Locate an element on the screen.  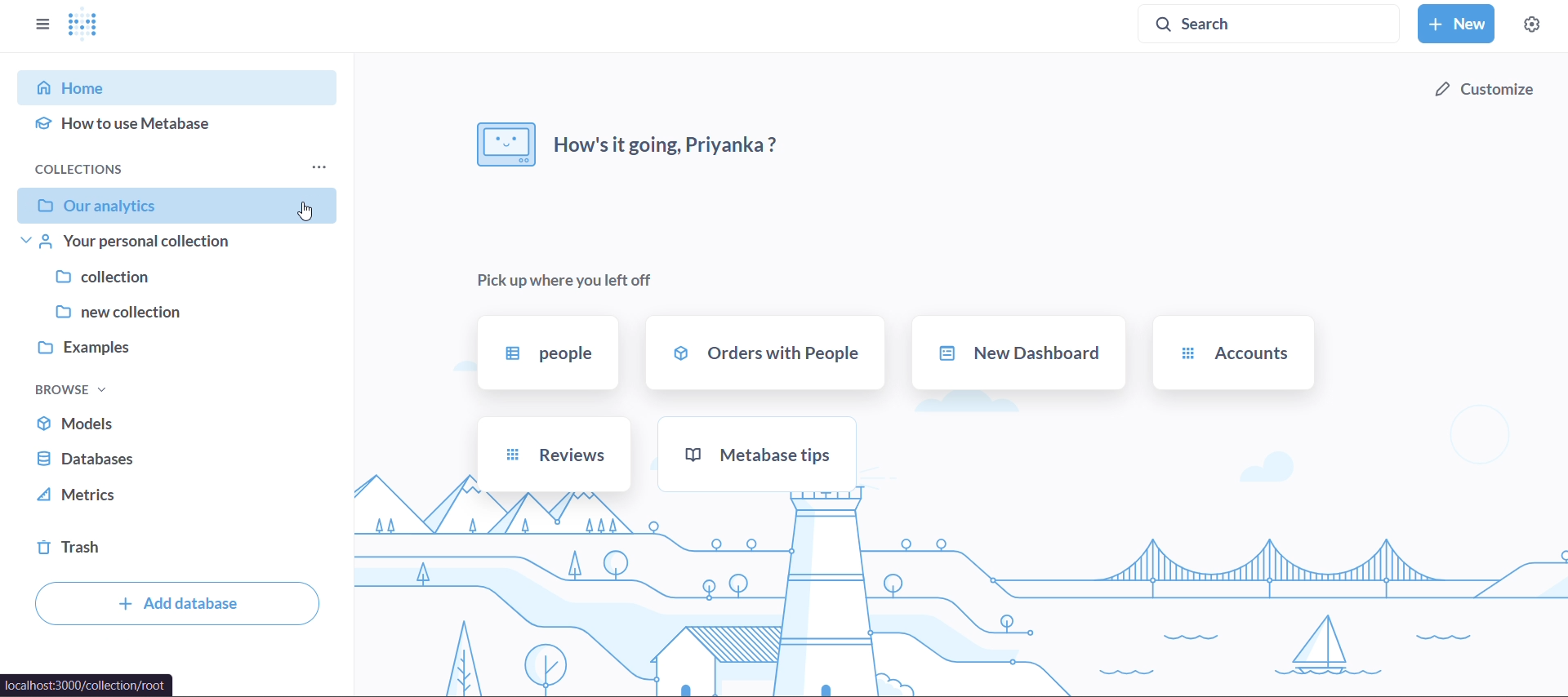
metrics is located at coordinates (160, 495).